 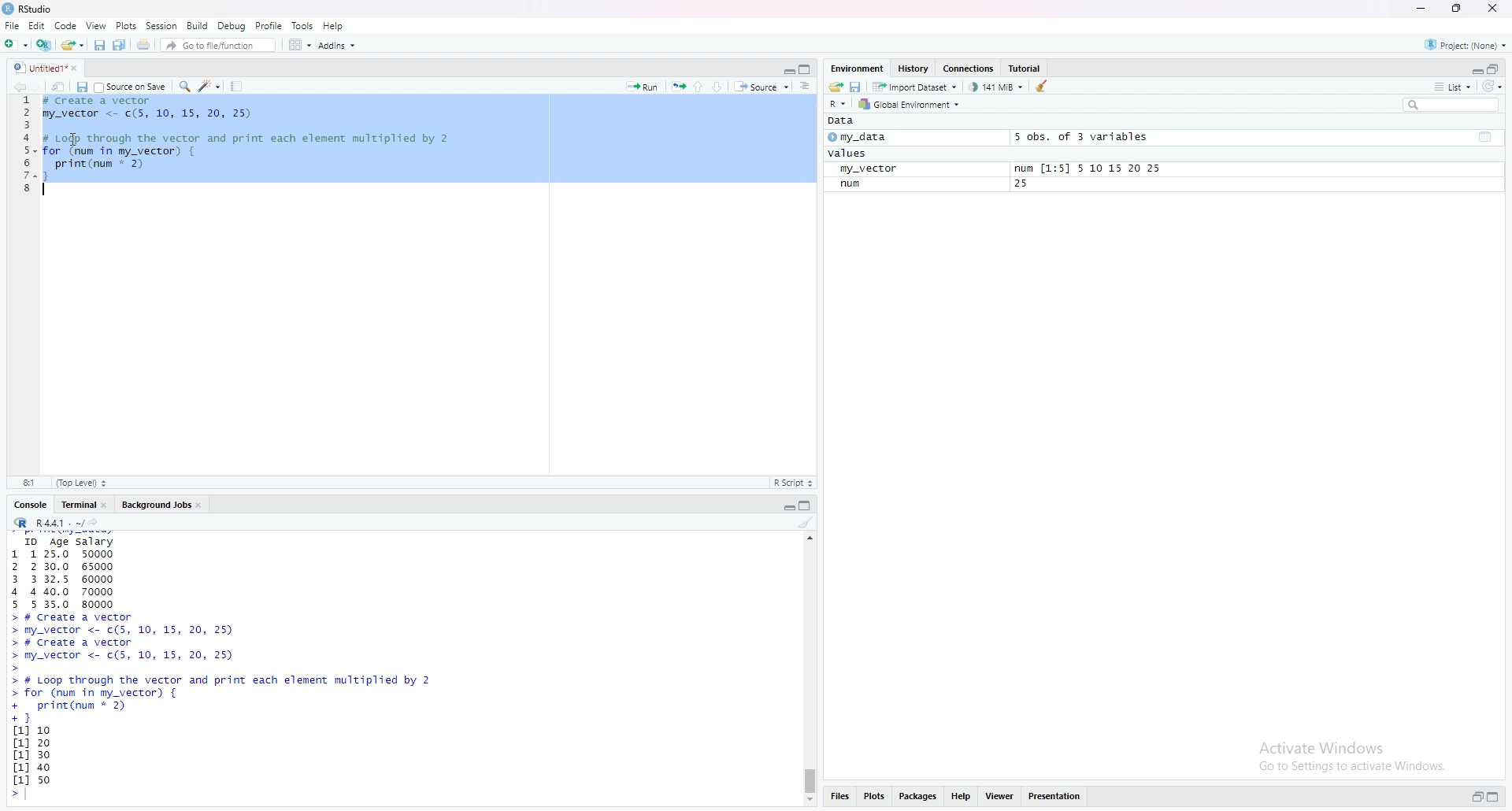 What do you see at coordinates (1091, 169) in the screenshot?
I see `num [1:5] 5 10 15 20 25` at bounding box center [1091, 169].